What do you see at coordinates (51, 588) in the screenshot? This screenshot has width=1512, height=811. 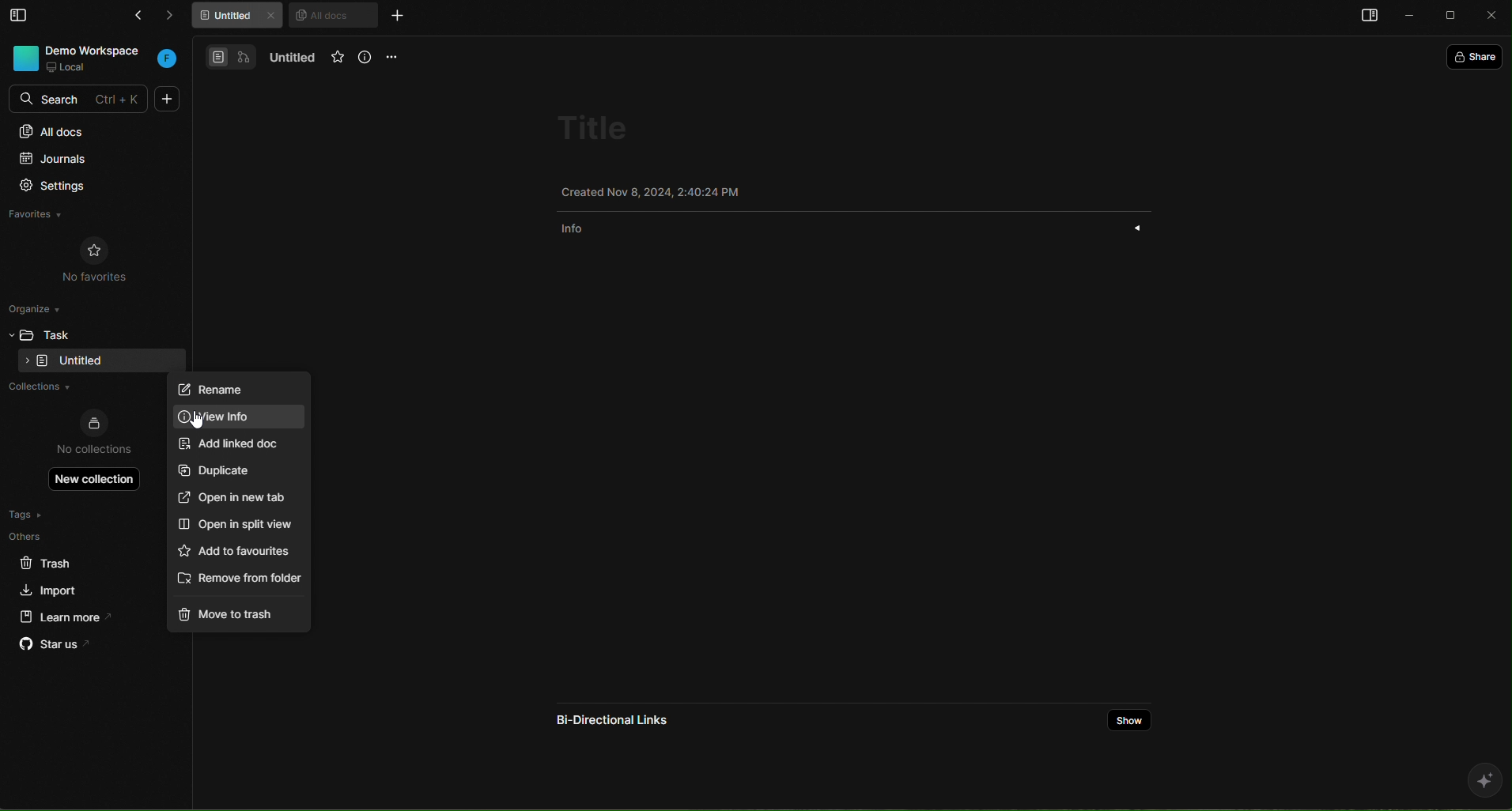 I see `import` at bounding box center [51, 588].